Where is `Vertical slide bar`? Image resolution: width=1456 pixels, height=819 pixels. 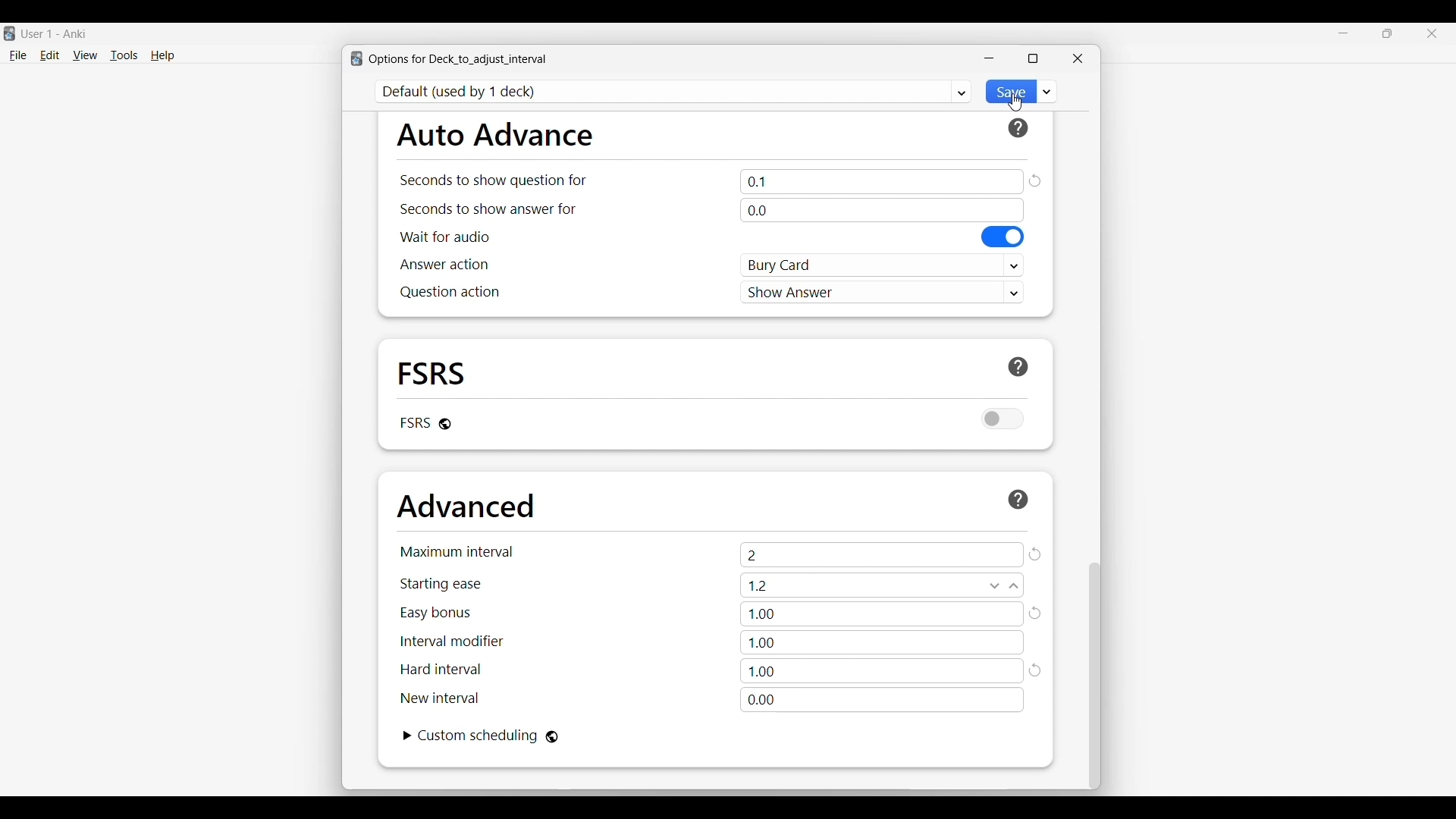 Vertical slide bar is located at coordinates (1095, 676).